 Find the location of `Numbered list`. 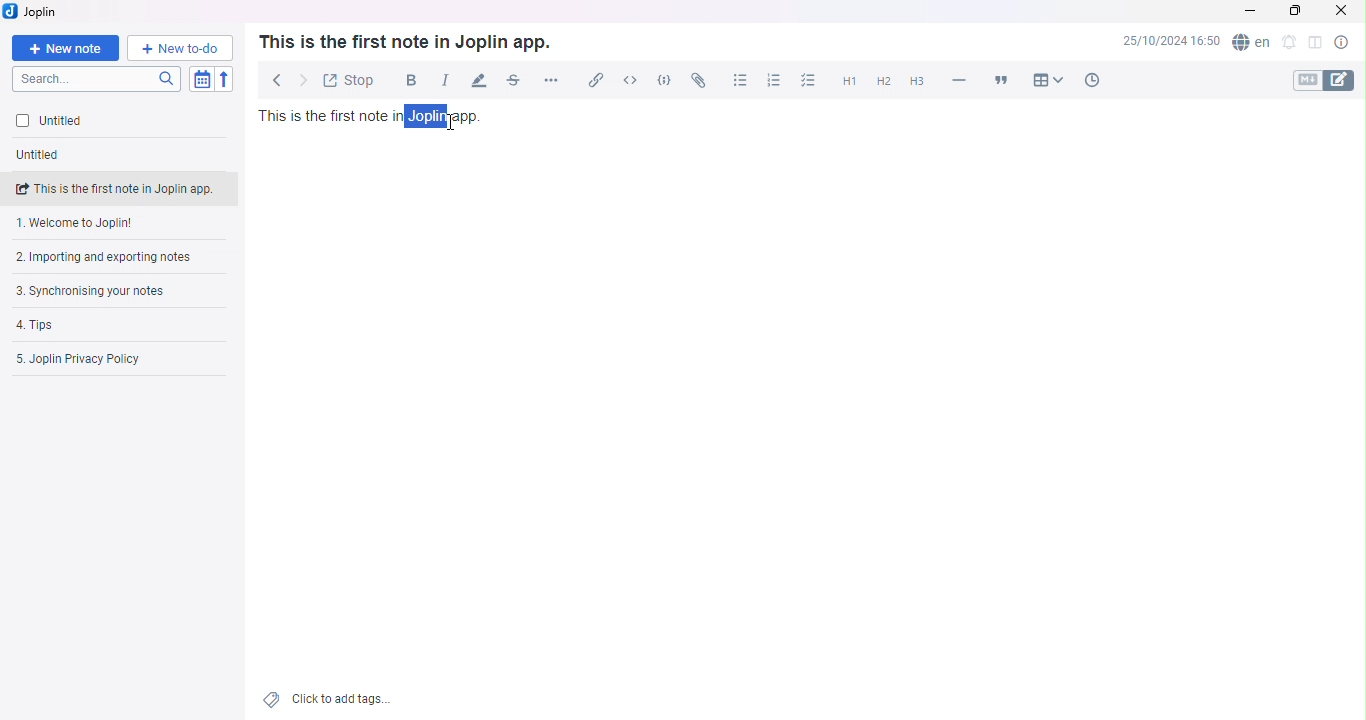

Numbered list is located at coordinates (771, 80).